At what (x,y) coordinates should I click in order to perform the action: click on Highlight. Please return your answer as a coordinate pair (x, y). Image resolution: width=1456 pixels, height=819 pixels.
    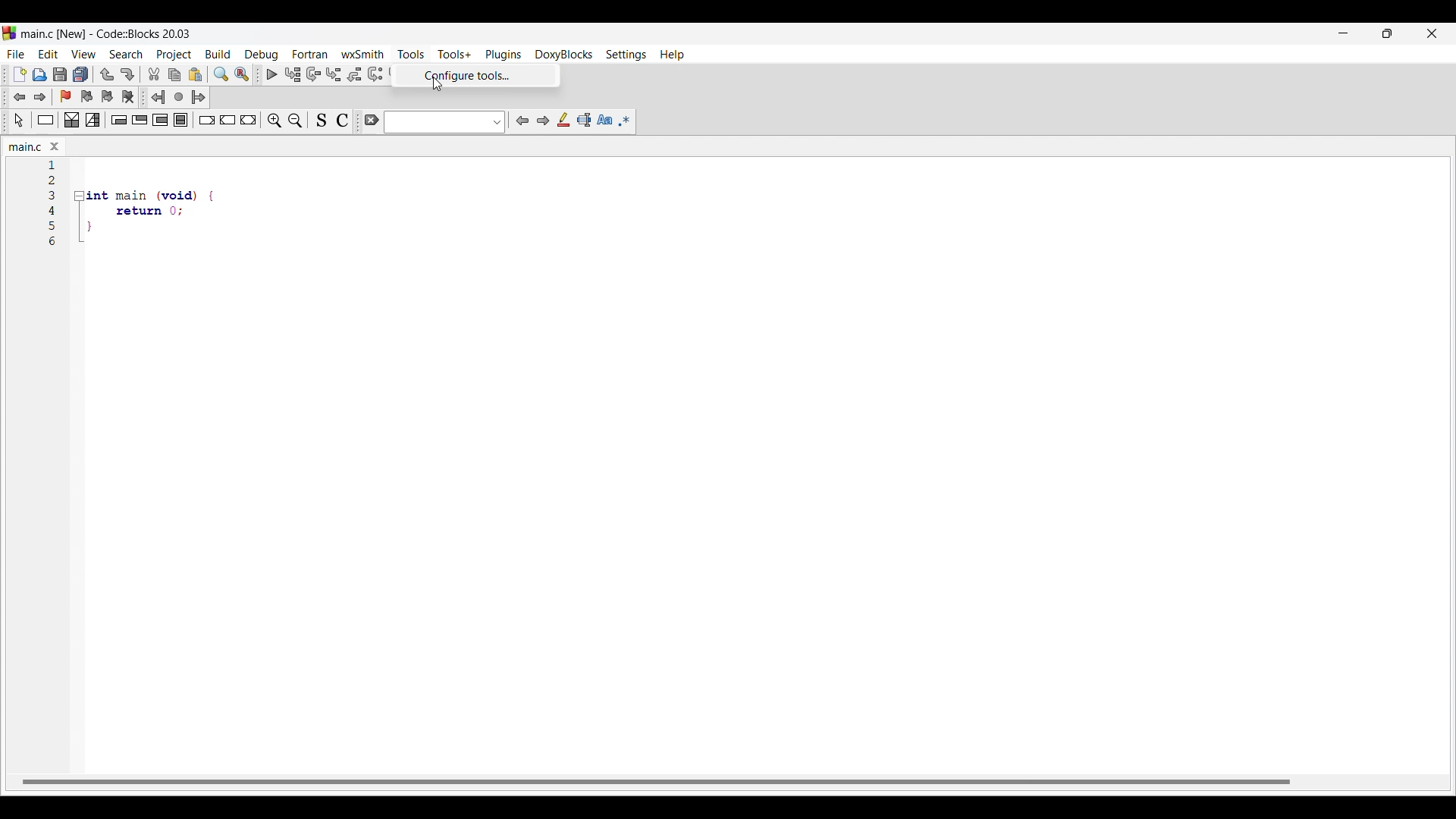
    Looking at the image, I should click on (563, 120).